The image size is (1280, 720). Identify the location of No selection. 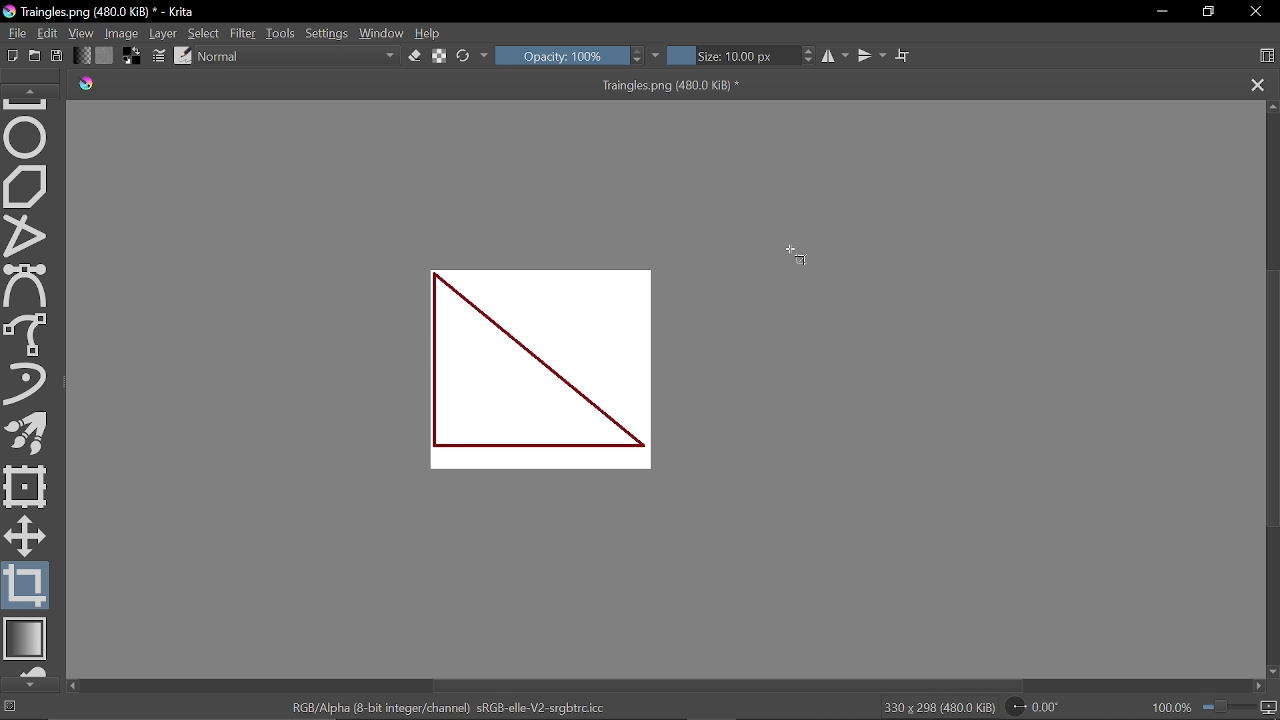
(10, 708).